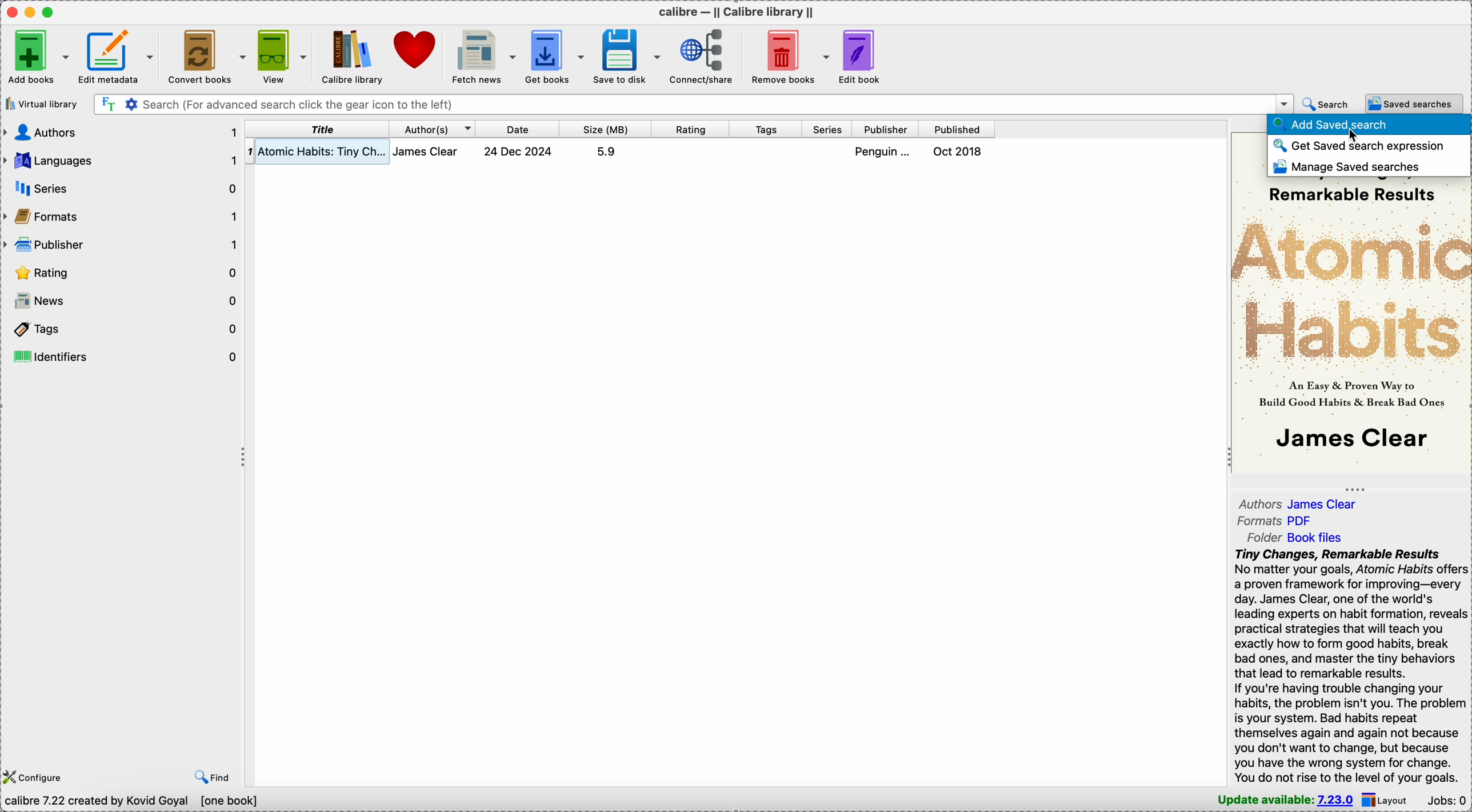  What do you see at coordinates (629, 55) in the screenshot?
I see `save to disk` at bounding box center [629, 55].